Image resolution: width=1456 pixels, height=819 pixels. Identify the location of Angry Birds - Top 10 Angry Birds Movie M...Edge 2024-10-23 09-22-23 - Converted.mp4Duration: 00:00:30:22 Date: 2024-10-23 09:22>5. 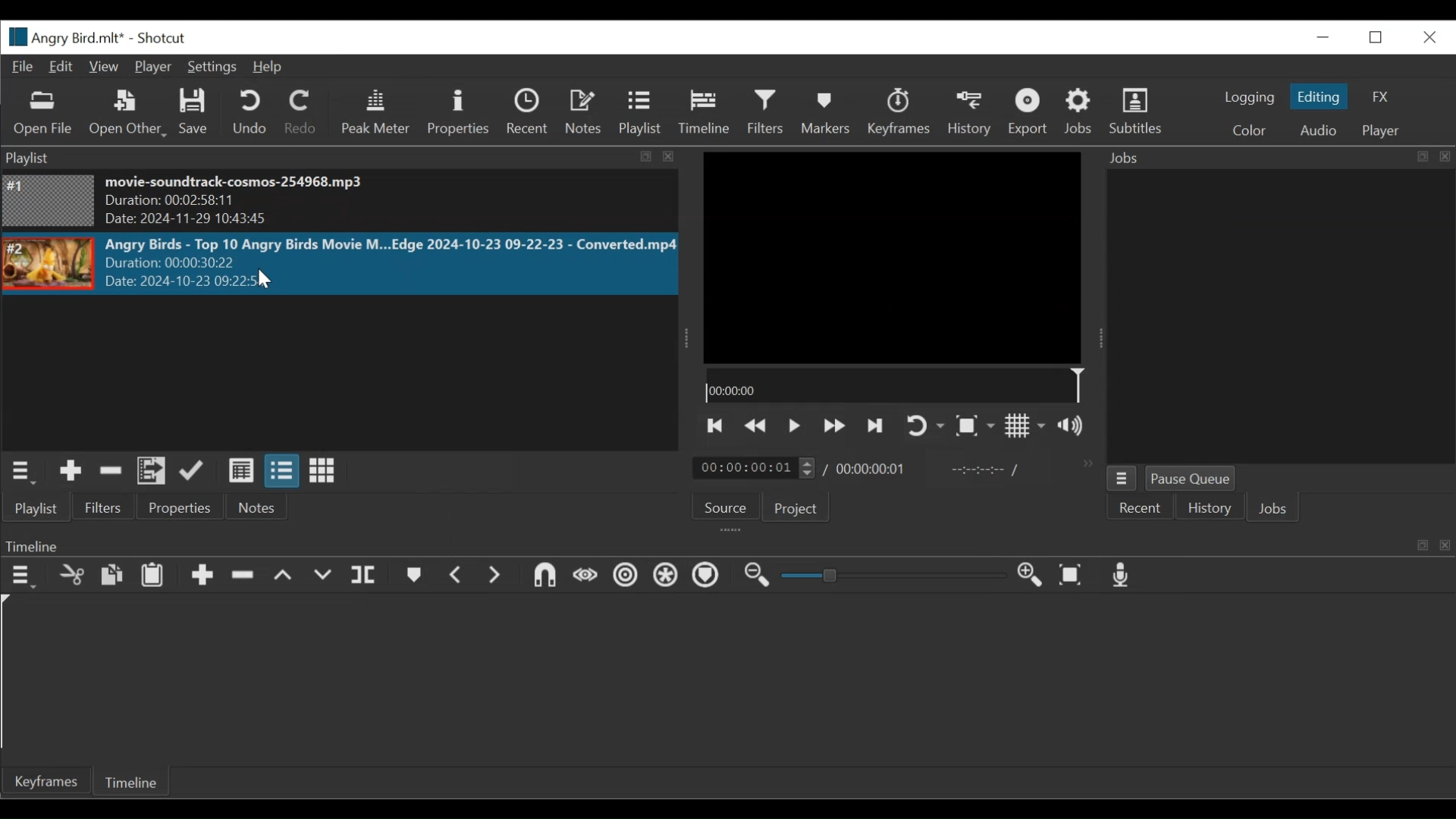
(390, 264).